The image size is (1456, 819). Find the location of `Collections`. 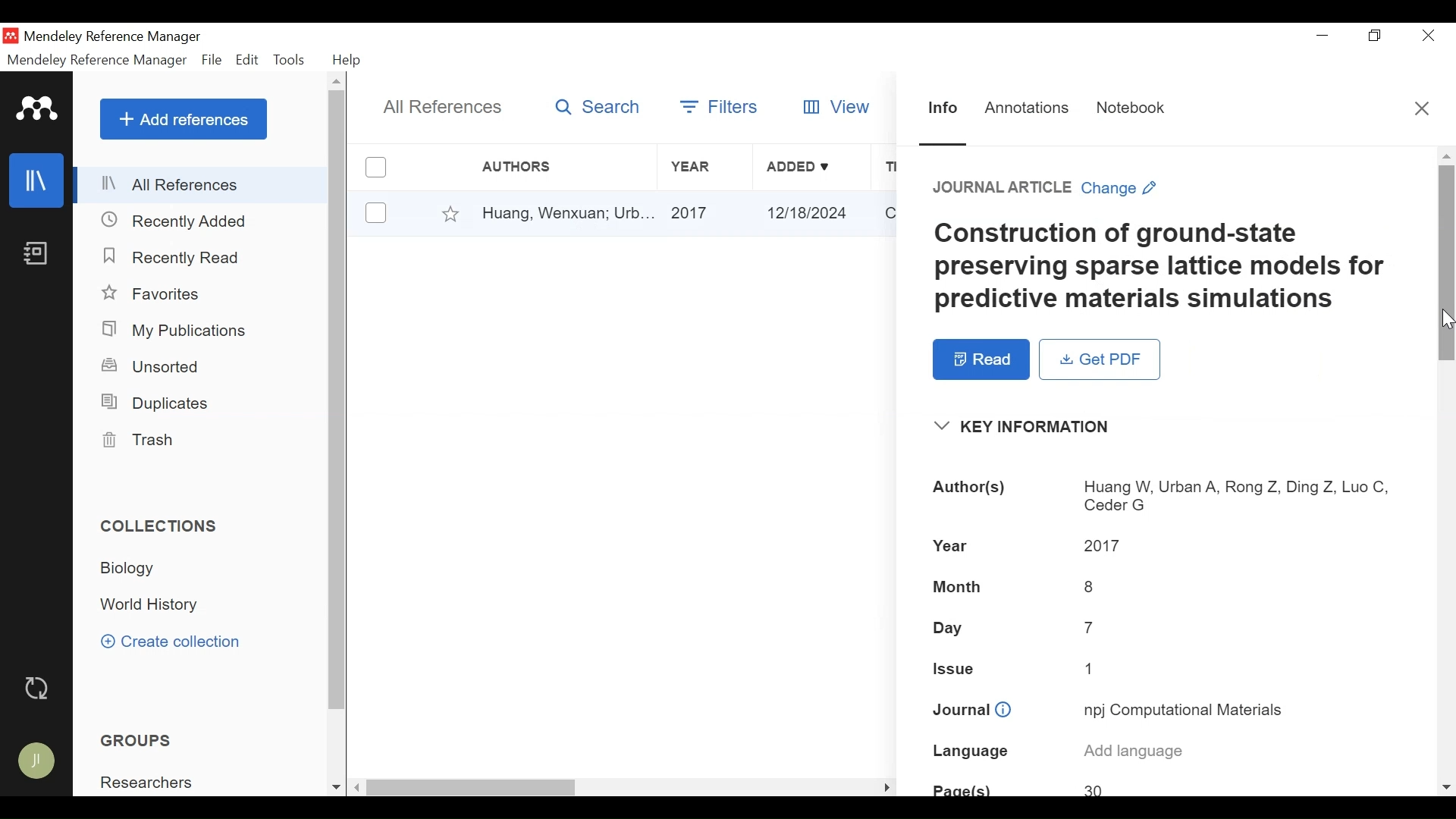

Collections is located at coordinates (166, 526).